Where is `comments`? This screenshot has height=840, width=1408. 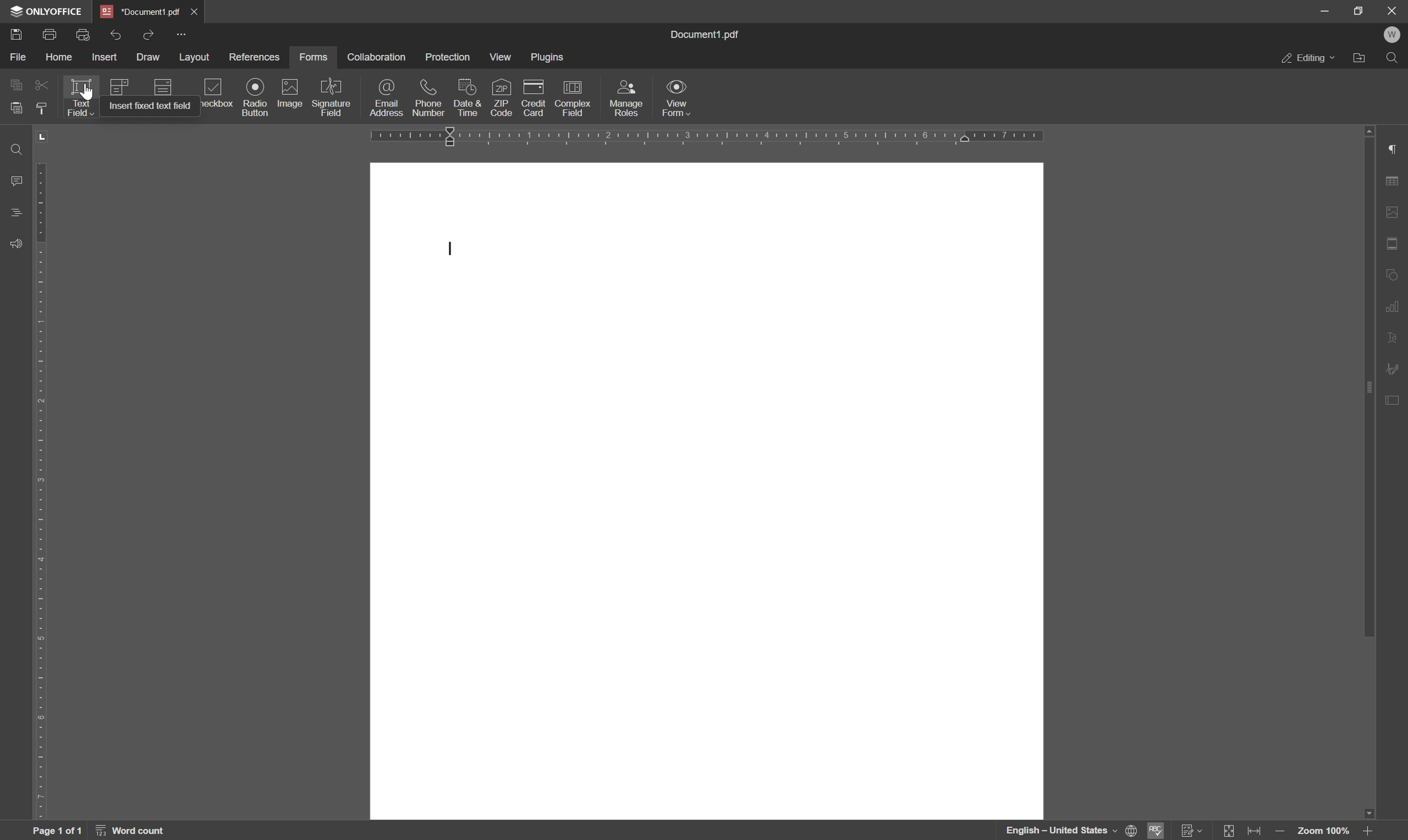
comments is located at coordinates (15, 181).